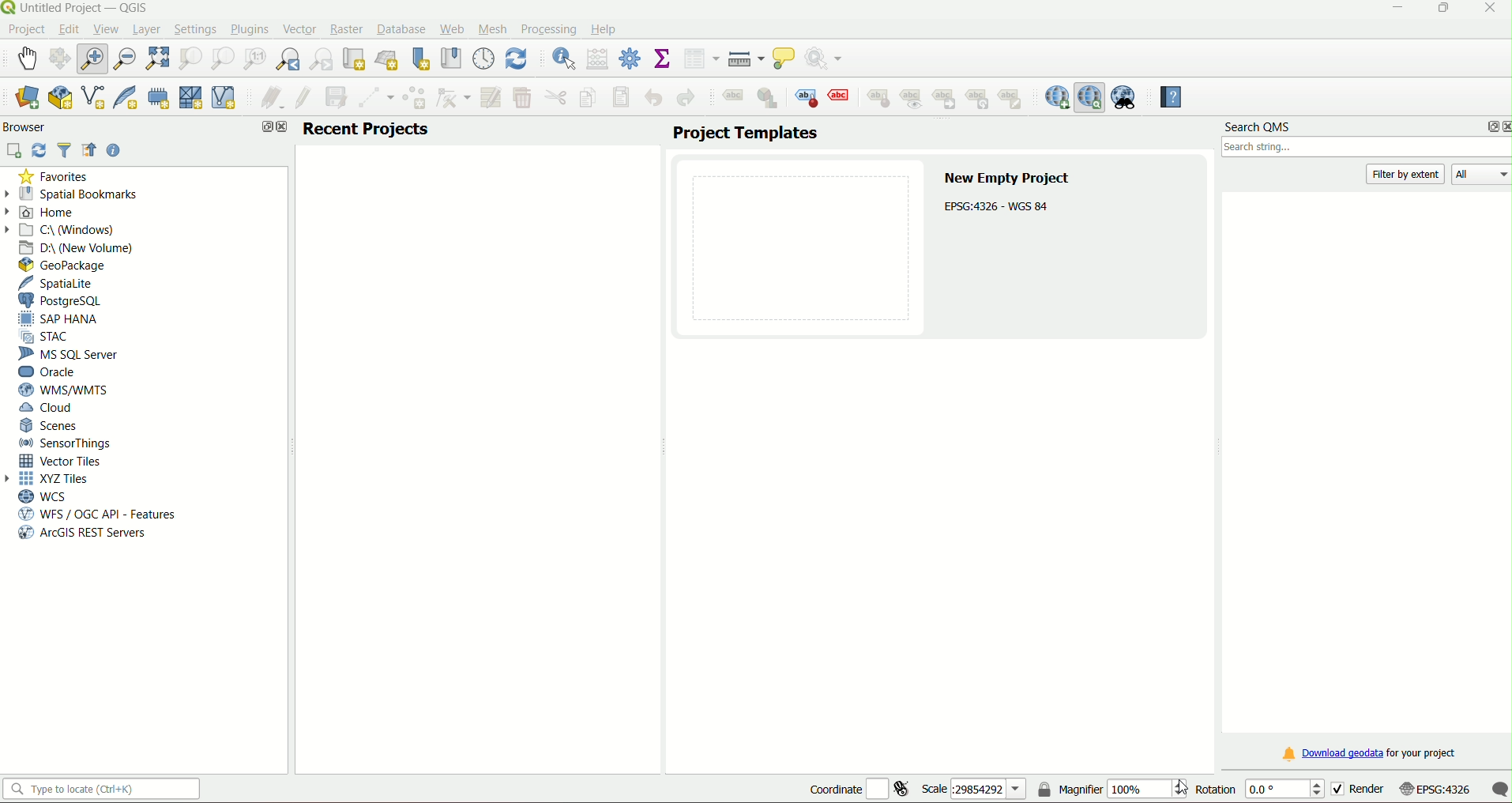 The image size is (1512, 803). I want to click on zoom out, so click(126, 57).